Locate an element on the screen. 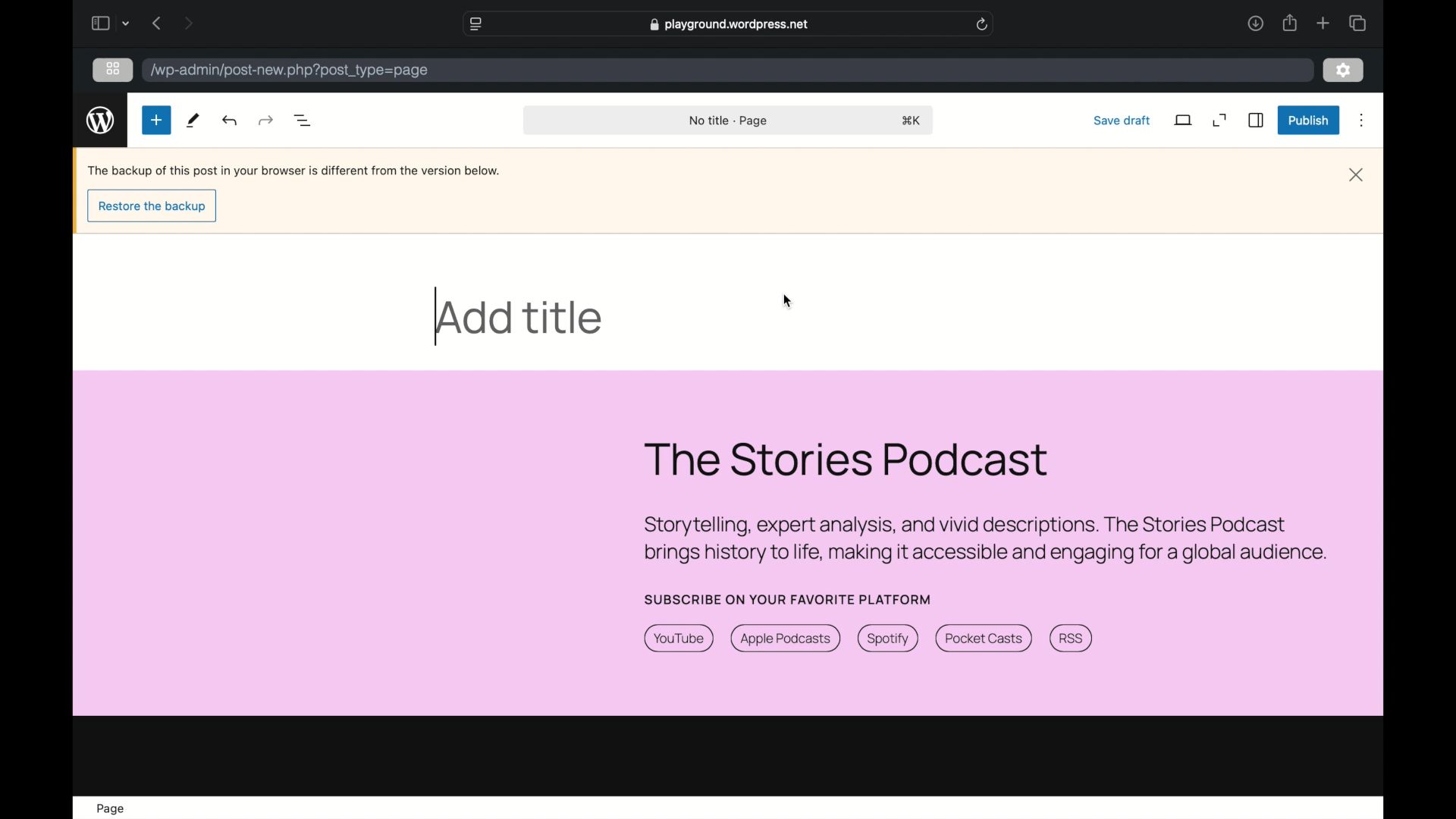 This screenshot has width=1456, height=819. redo is located at coordinates (231, 120).